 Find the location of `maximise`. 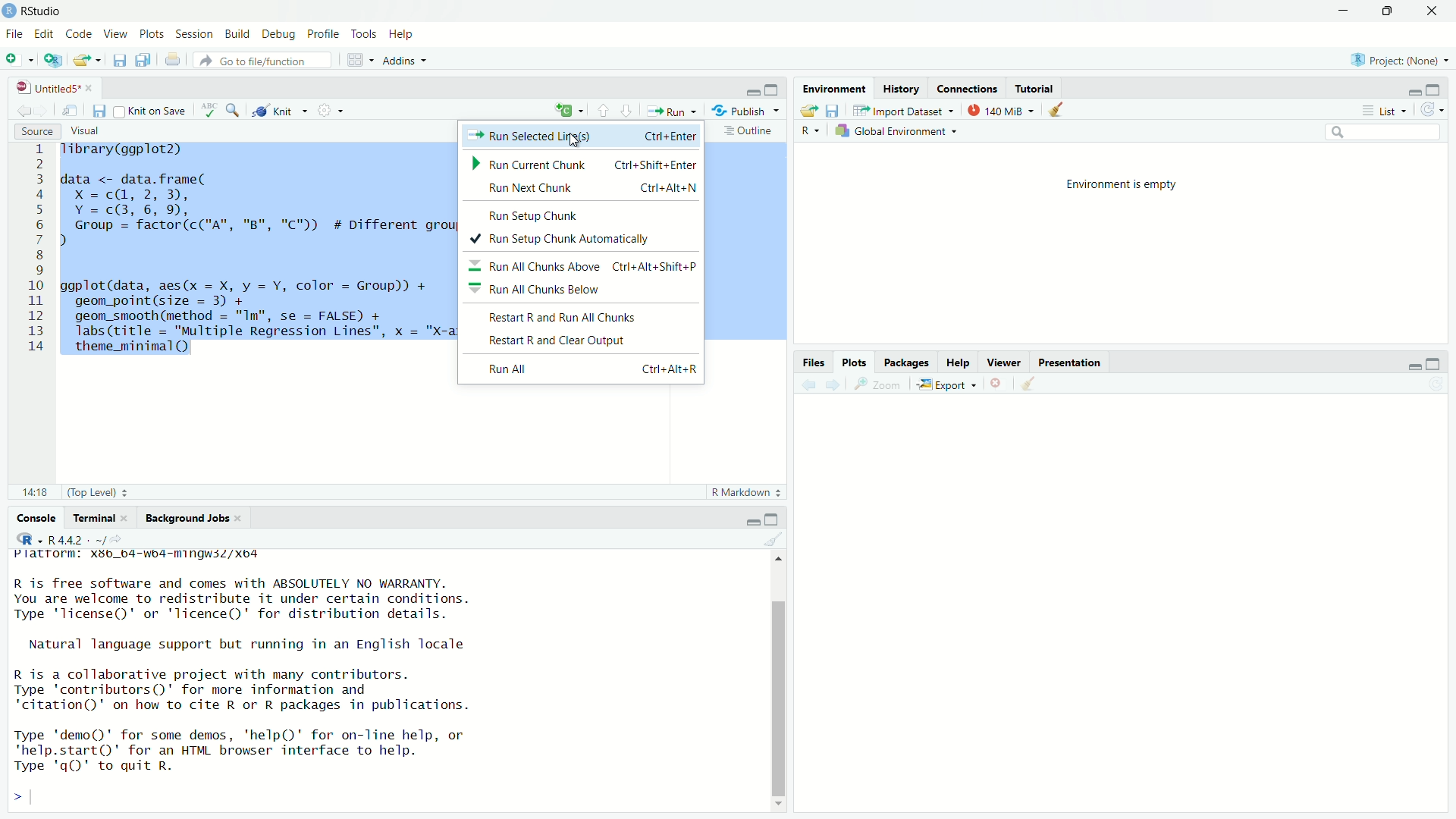

maximise is located at coordinates (773, 88).